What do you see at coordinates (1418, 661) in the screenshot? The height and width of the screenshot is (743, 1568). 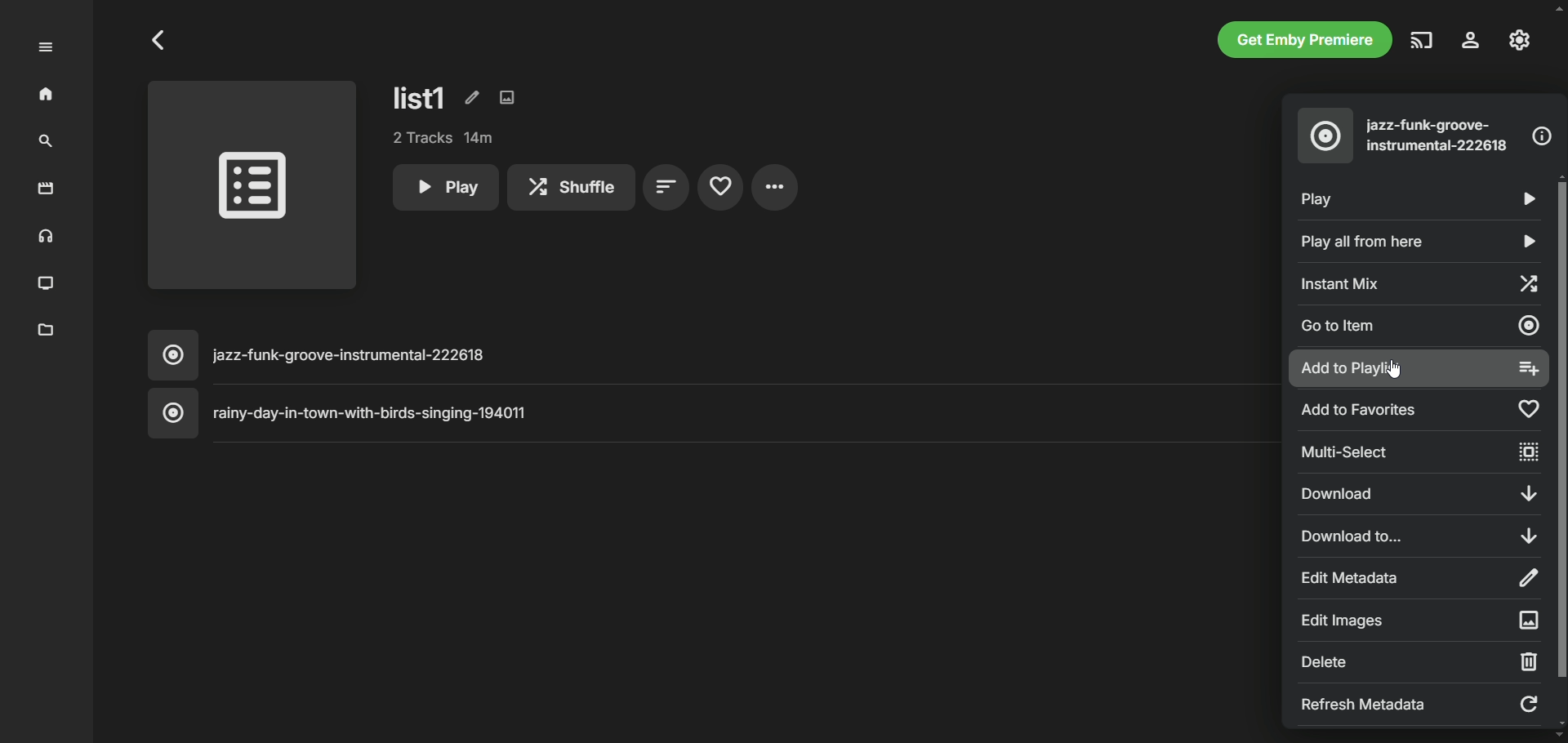 I see `delete` at bounding box center [1418, 661].